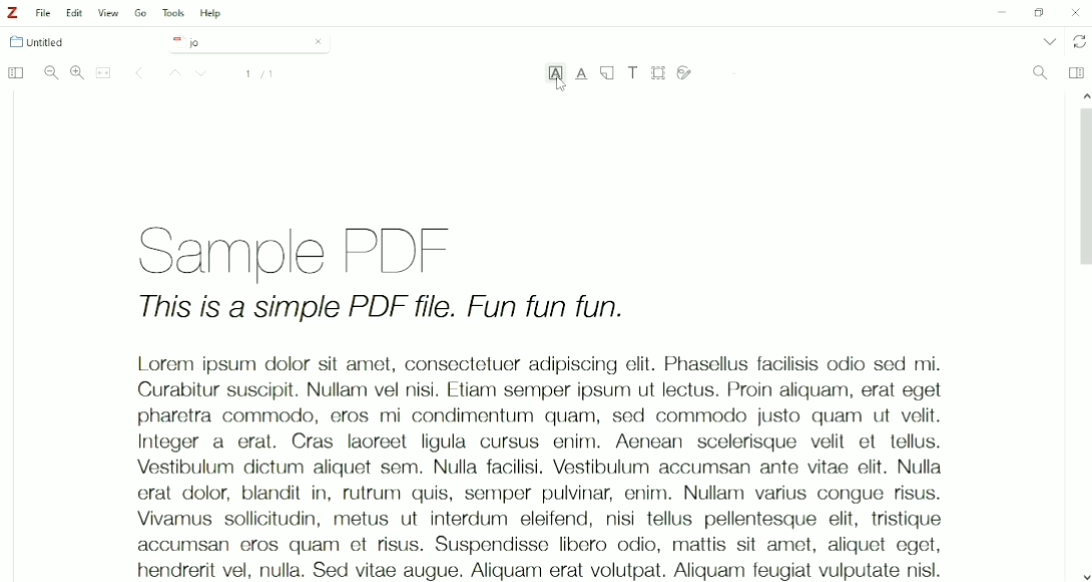 Image resolution: width=1092 pixels, height=582 pixels. What do you see at coordinates (1082, 94) in the screenshot?
I see `up` at bounding box center [1082, 94].